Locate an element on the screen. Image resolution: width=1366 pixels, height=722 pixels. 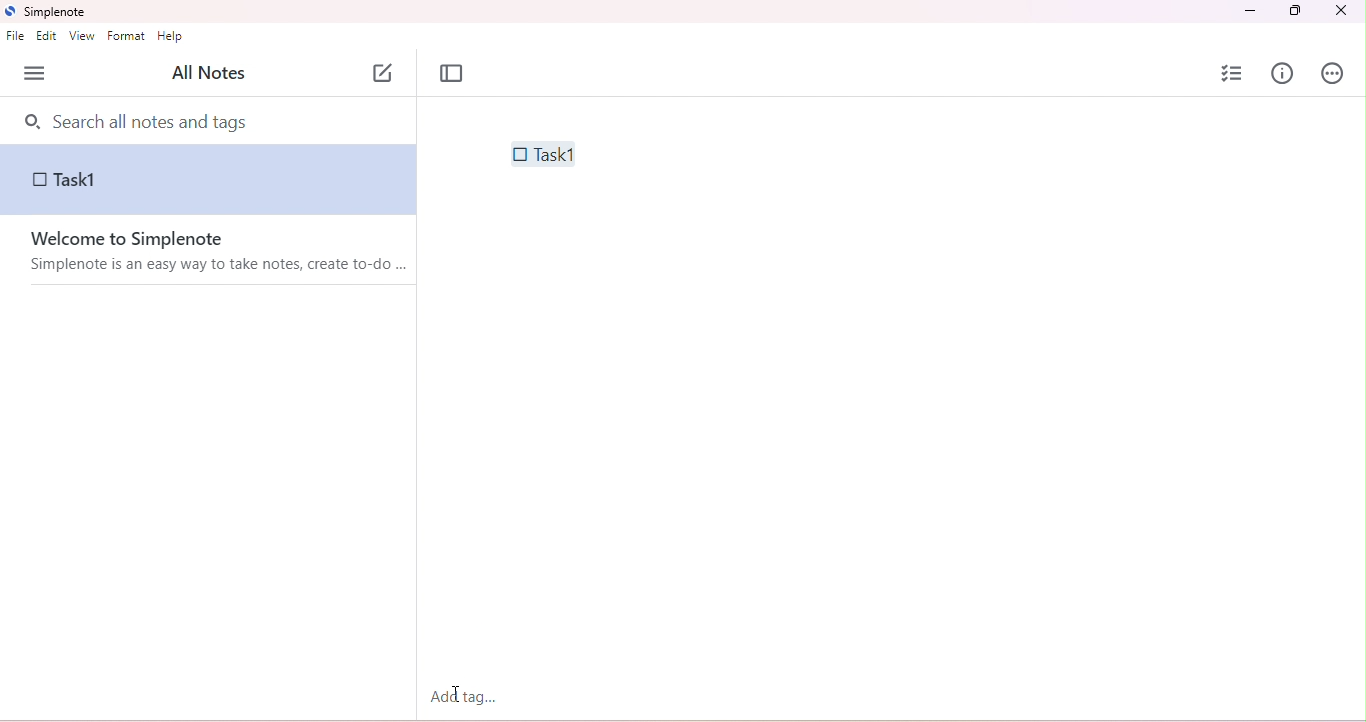
insert checklist is located at coordinates (1234, 73).